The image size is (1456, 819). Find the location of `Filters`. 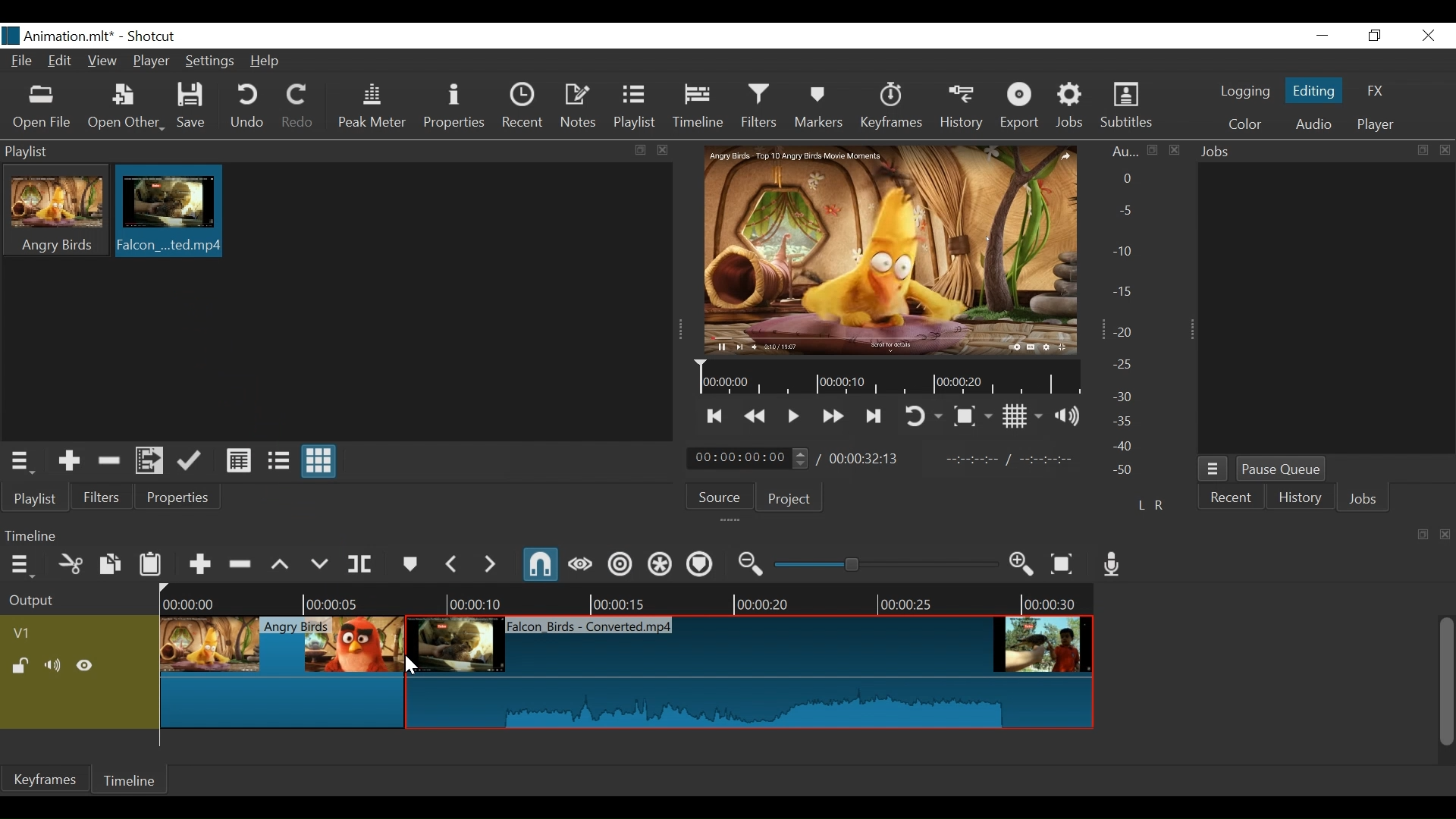

Filters is located at coordinates (104, 496).